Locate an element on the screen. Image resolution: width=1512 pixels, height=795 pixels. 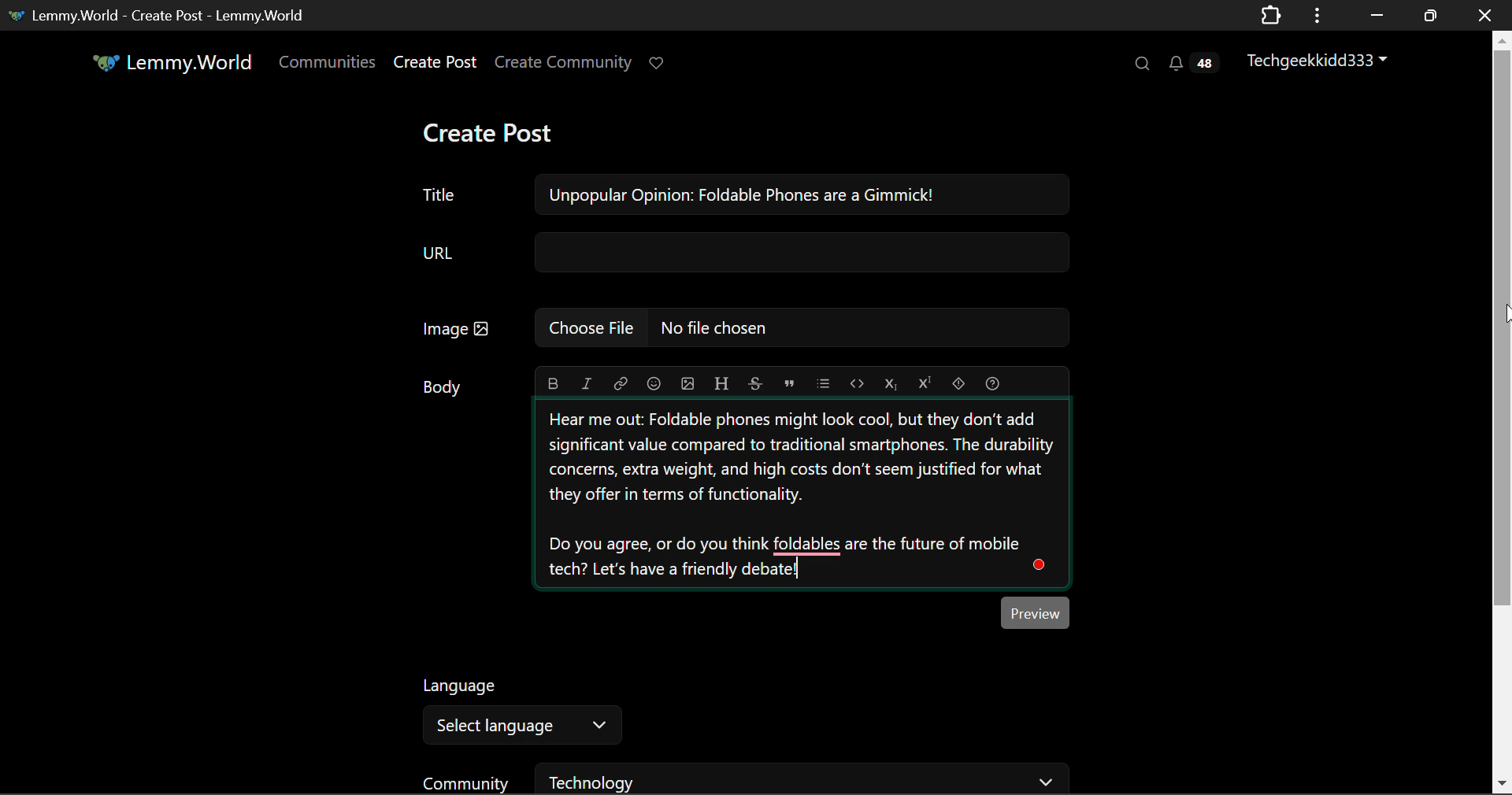
Unpopular Opinion: Foldable Phones are a Gimmick is located at coordinates (743, 195).